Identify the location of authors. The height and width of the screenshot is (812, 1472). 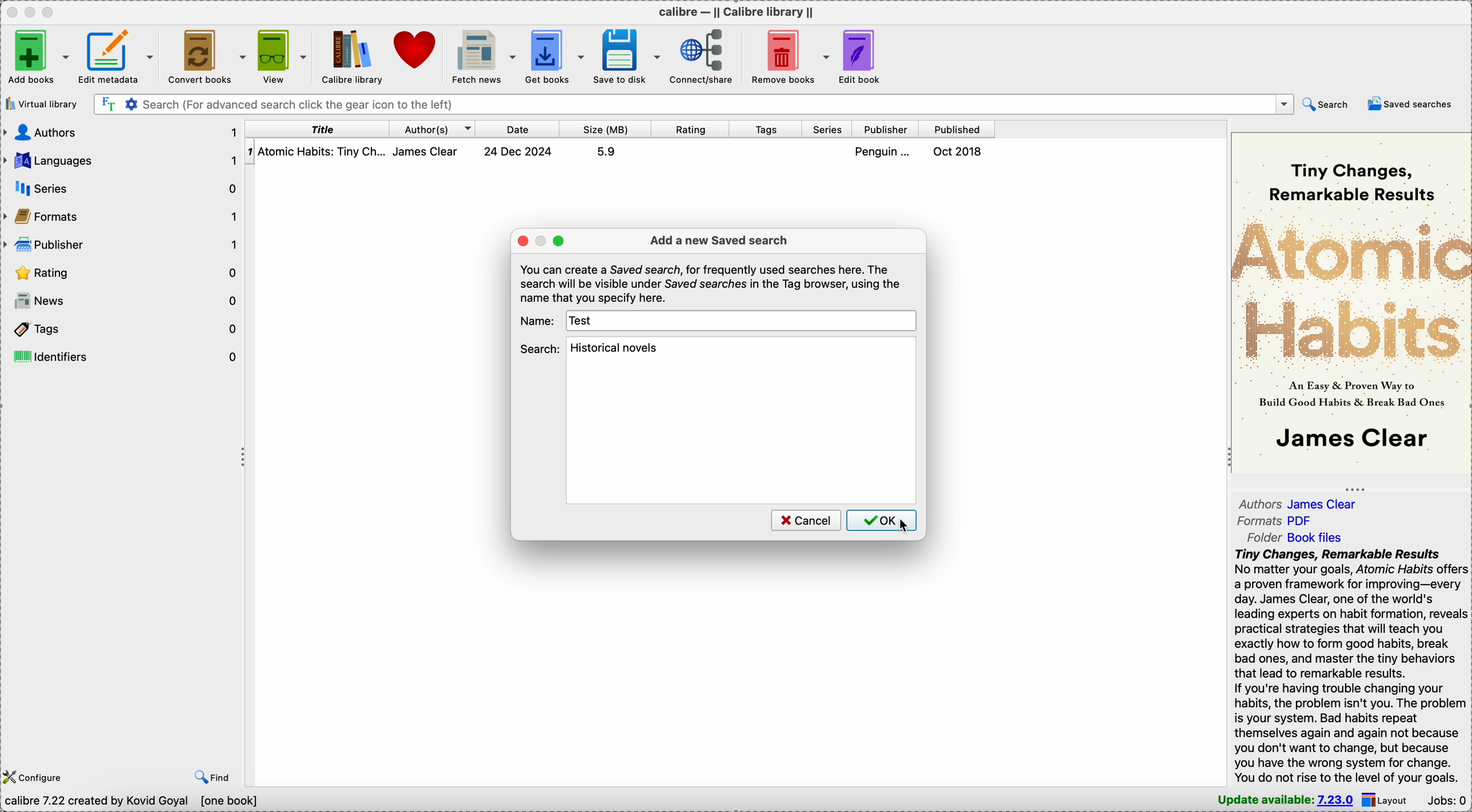
(122, 131).